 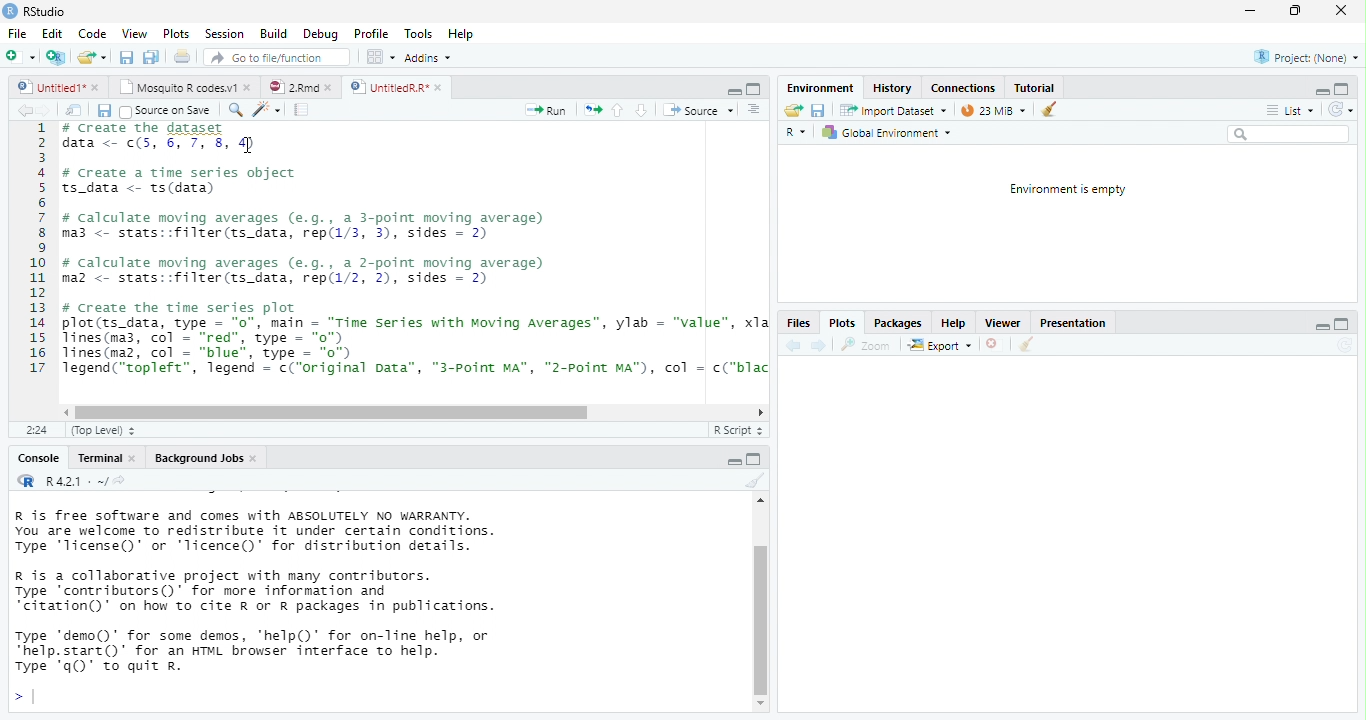 I want to click on File, so click(x=16, y=34).